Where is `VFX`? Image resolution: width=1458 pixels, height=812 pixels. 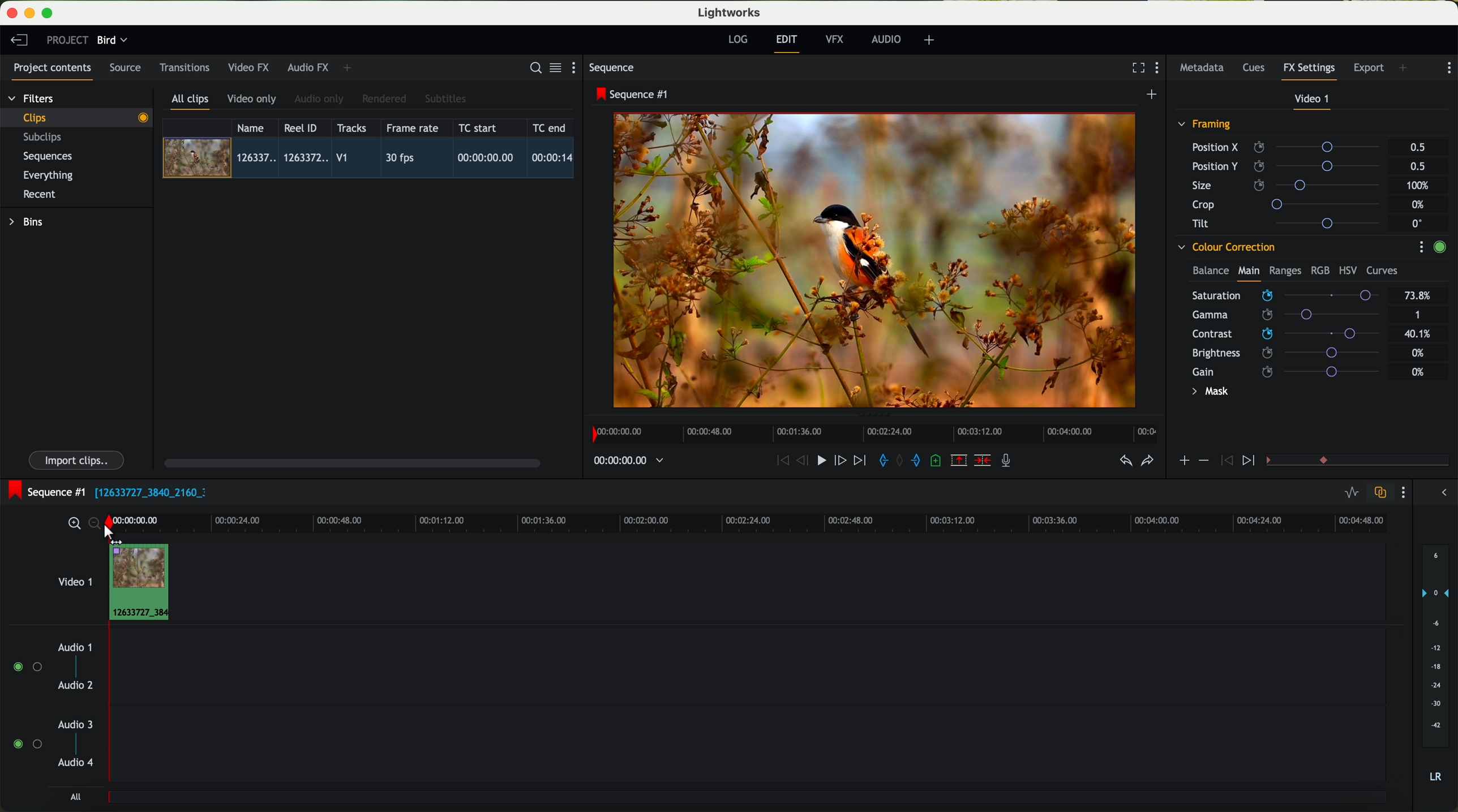
VFX is located at coordinates (837, 40).